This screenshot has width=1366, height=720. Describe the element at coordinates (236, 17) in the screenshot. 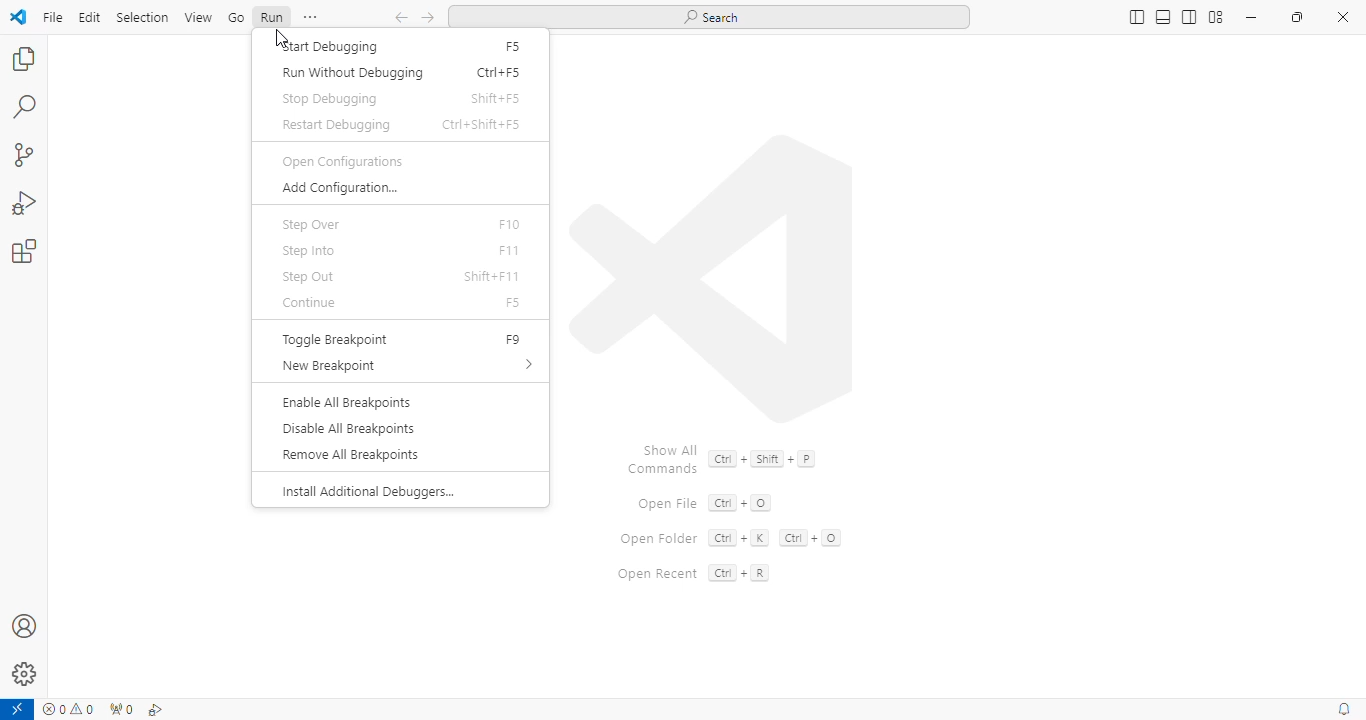

I see `go` at that location.